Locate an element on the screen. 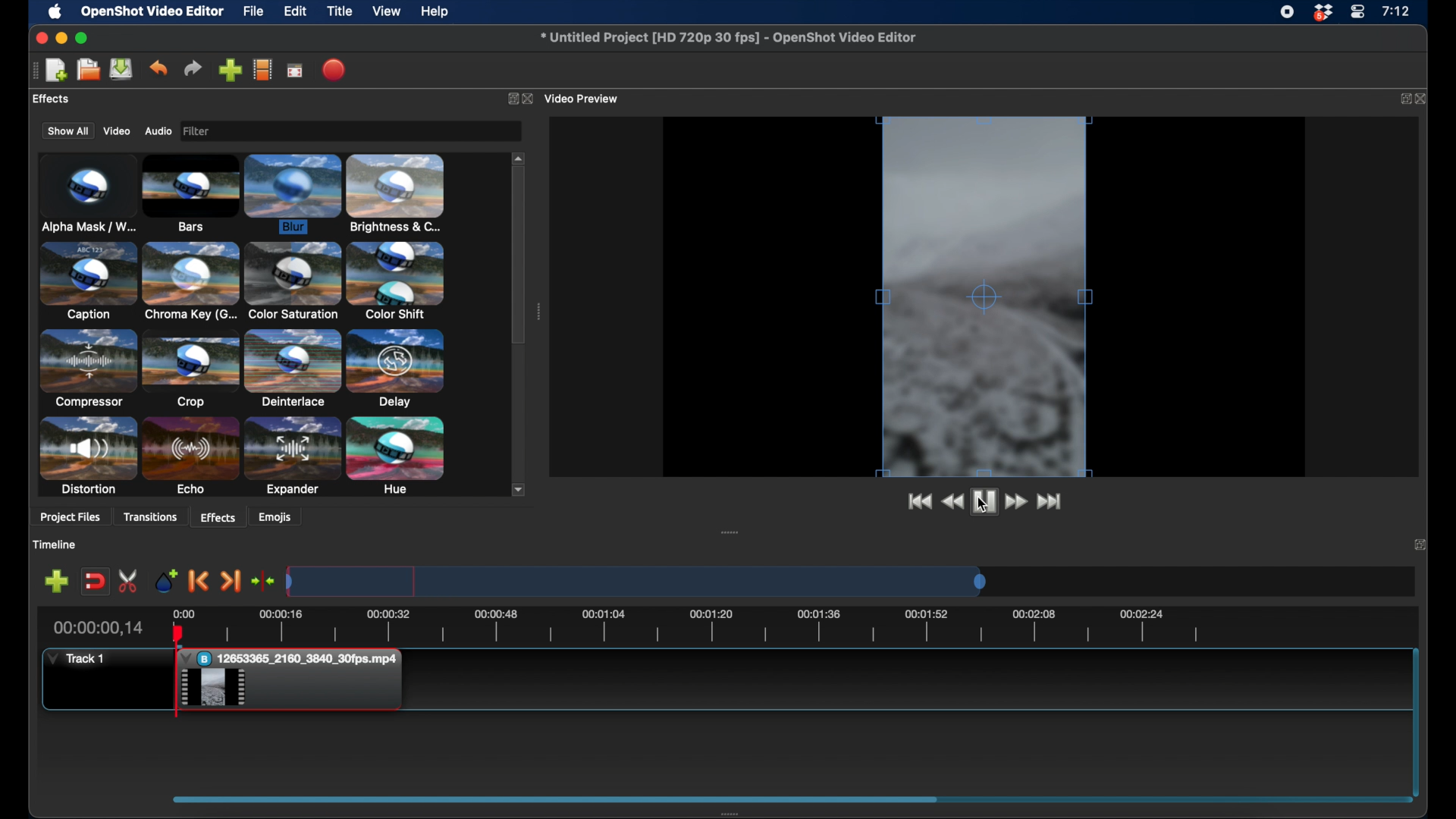 The height and width of the screenshot is (819, 1456). add track is located at coordinates (58, 580).